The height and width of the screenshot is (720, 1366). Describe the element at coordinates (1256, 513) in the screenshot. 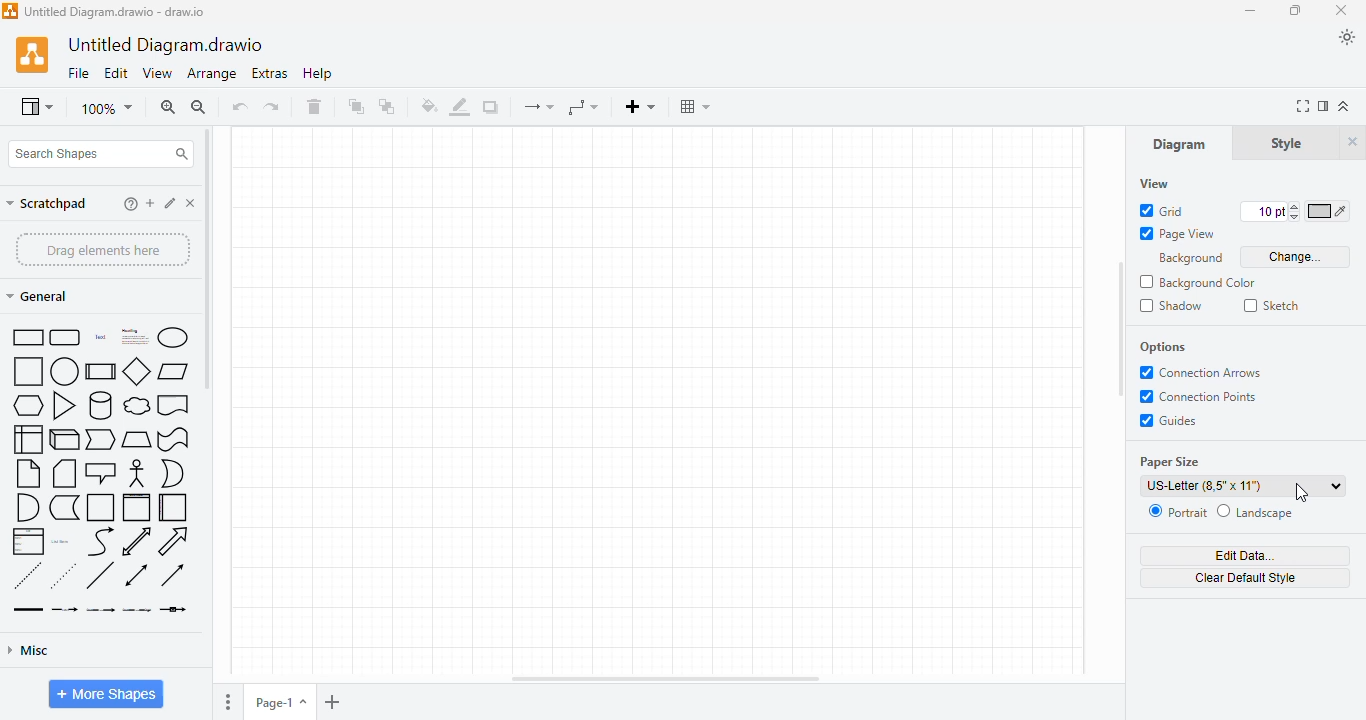

I see `landscape` at that location.